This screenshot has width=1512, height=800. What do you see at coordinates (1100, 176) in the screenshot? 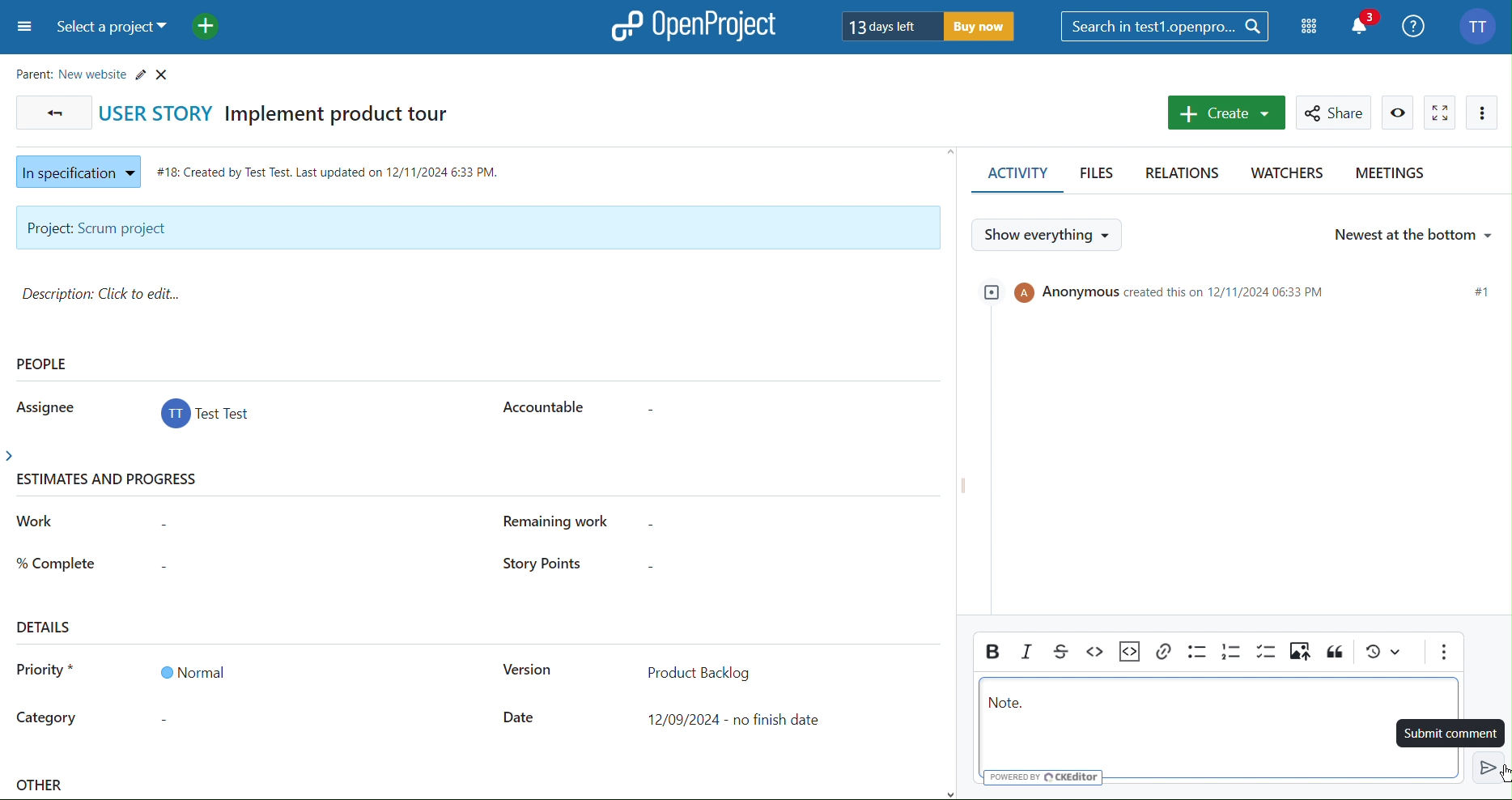
I see `Files` at bounding box center [1100, 176].